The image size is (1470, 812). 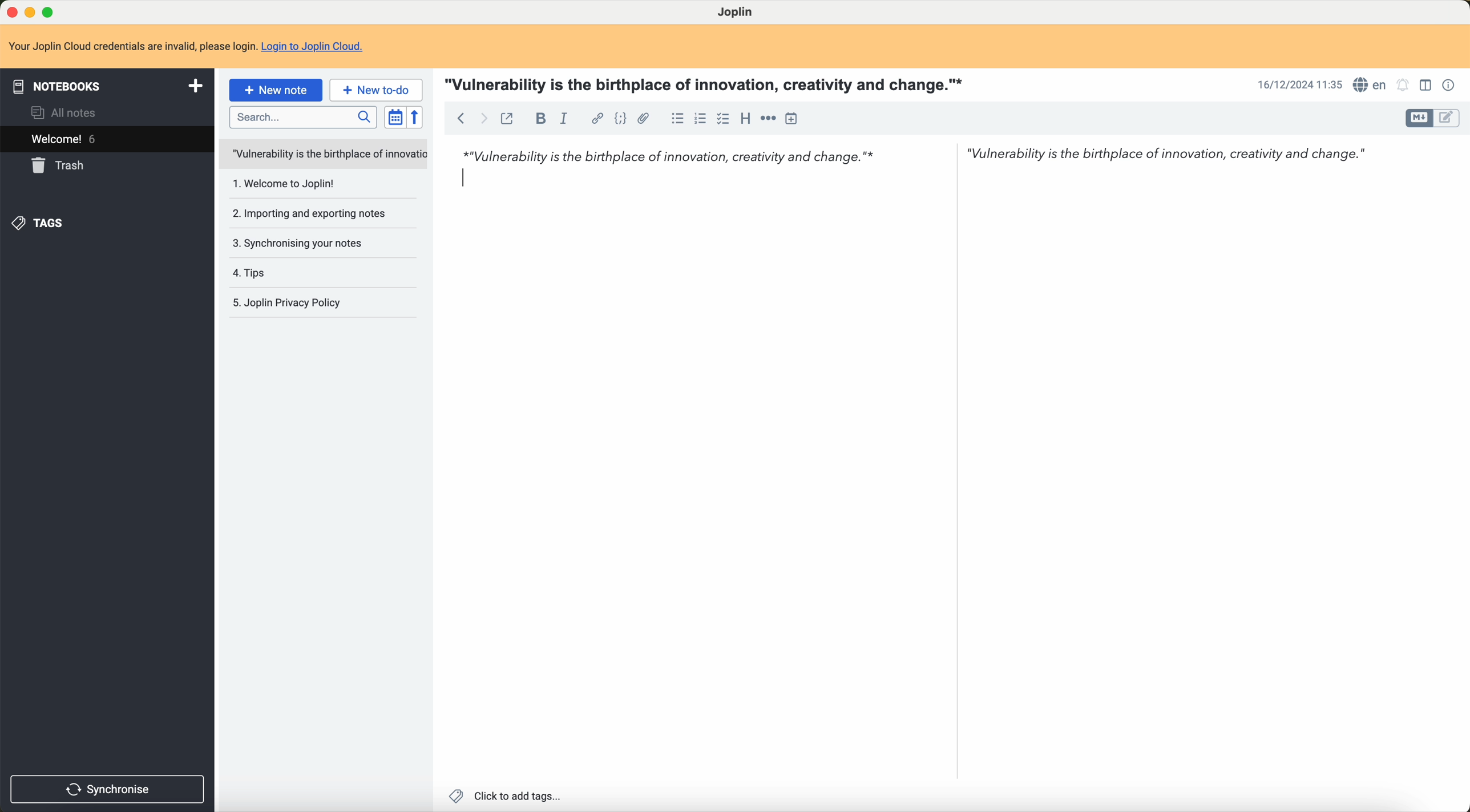 I want to click on untitled, so click(x=322, y=155).